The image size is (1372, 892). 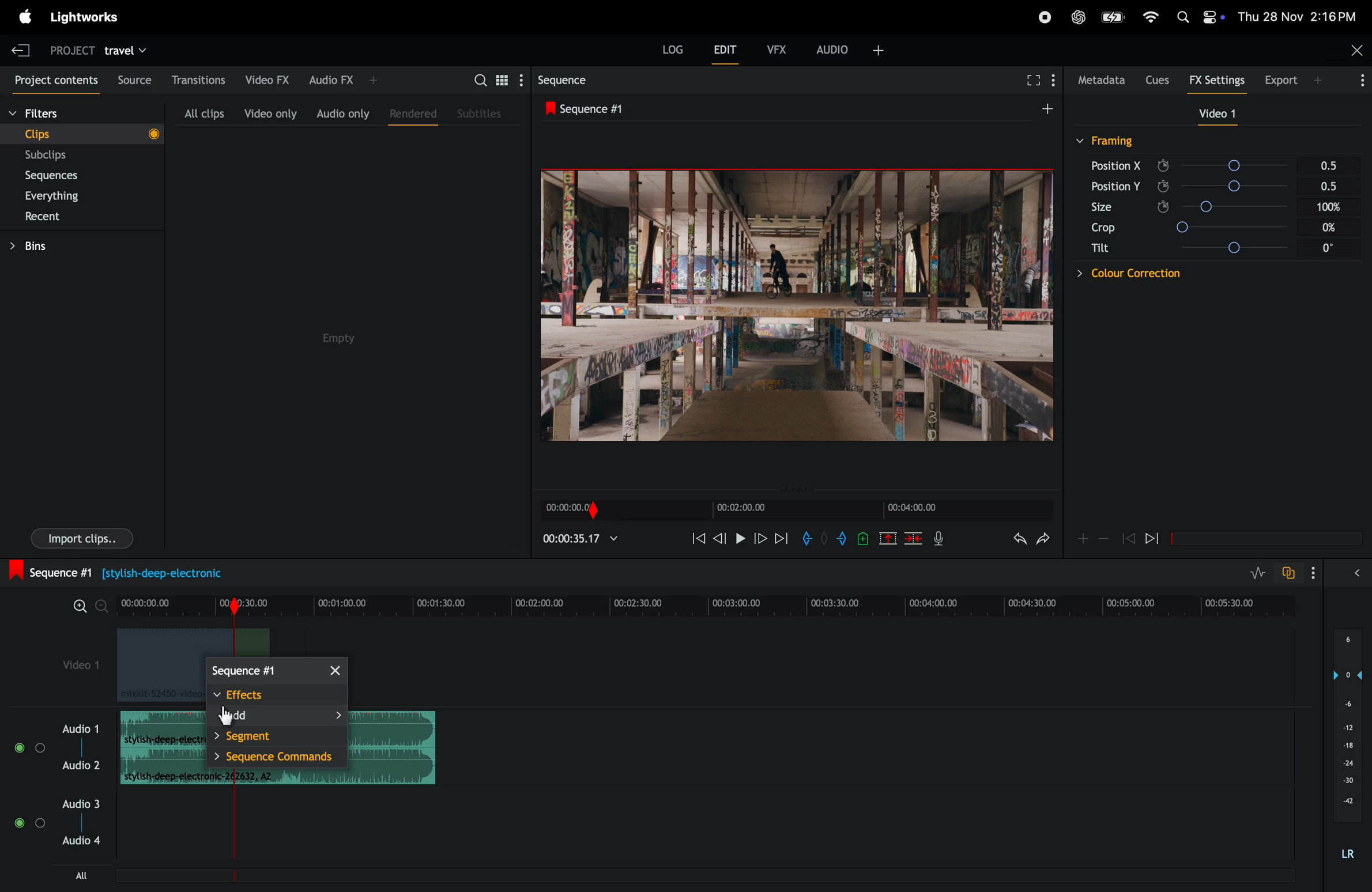 What do you see at coordinates (777, 48) in the screenshot?
I see `vfx` at bounding box center [777, 48].